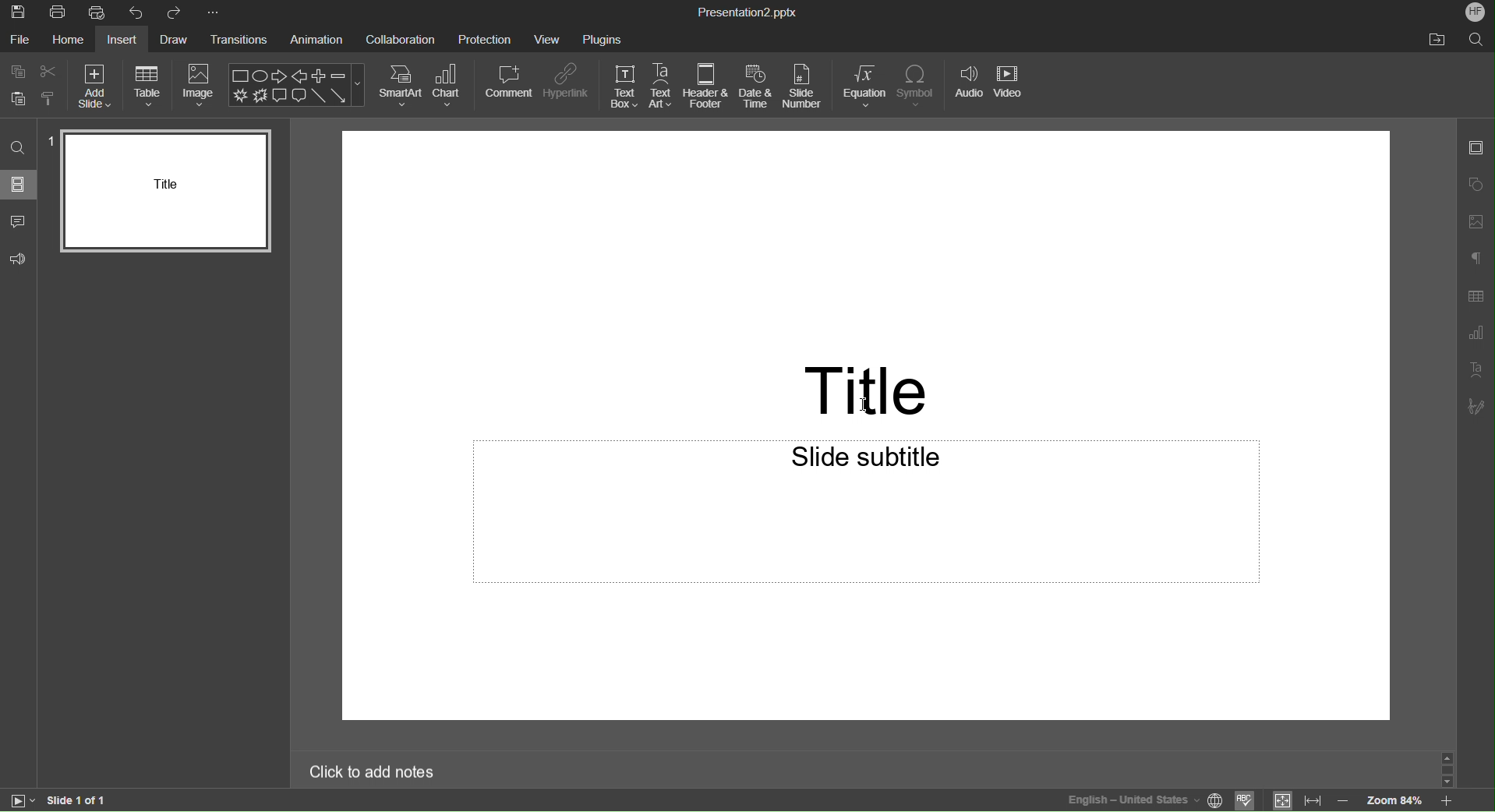 The height and width of the screenshot is (812, 1495). Describe the element at coordinates (1476, 296) in the screenshot. I see `Table Settings` at that location.